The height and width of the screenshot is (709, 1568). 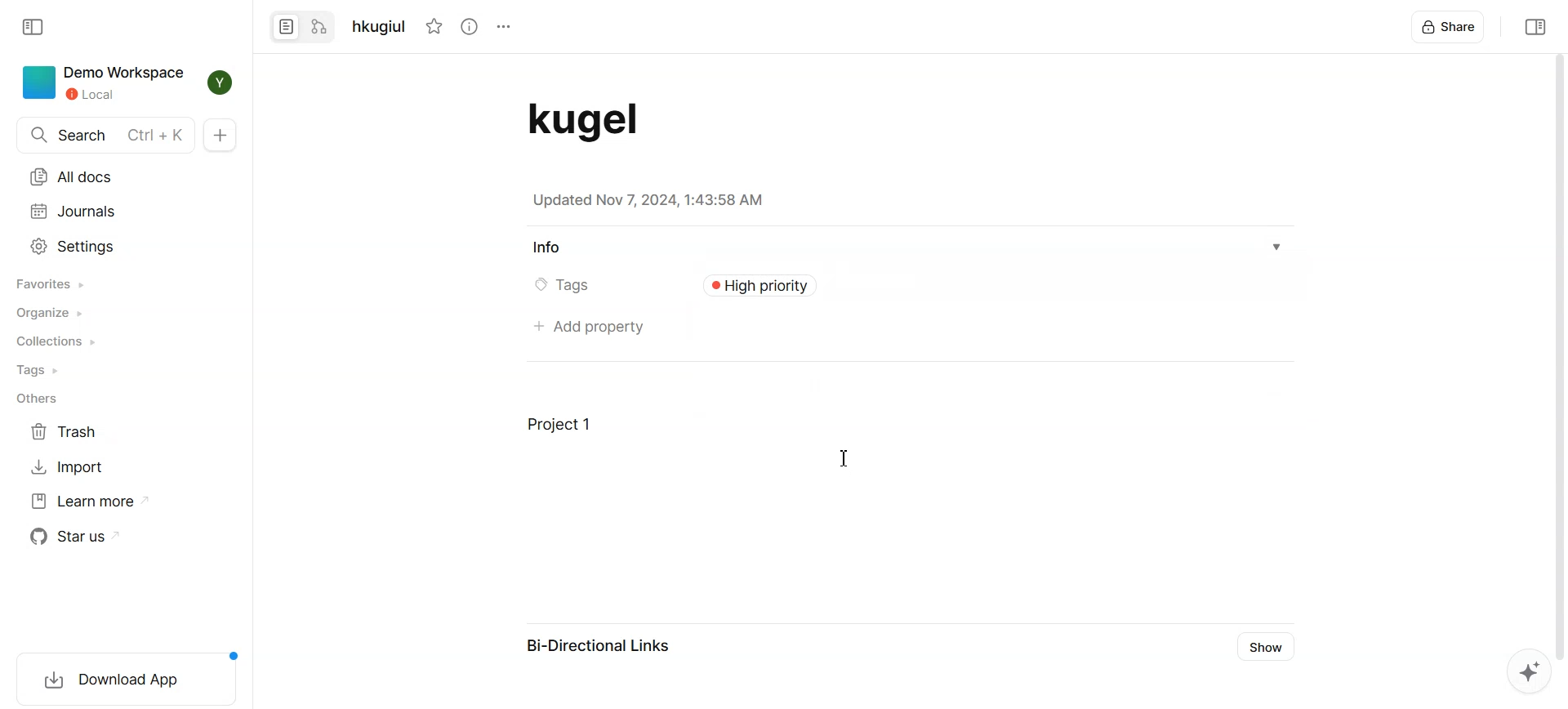 What do you see at coordinates (41, 399) in the screenshot?
I see `Others` at bounding box center [41, 399].